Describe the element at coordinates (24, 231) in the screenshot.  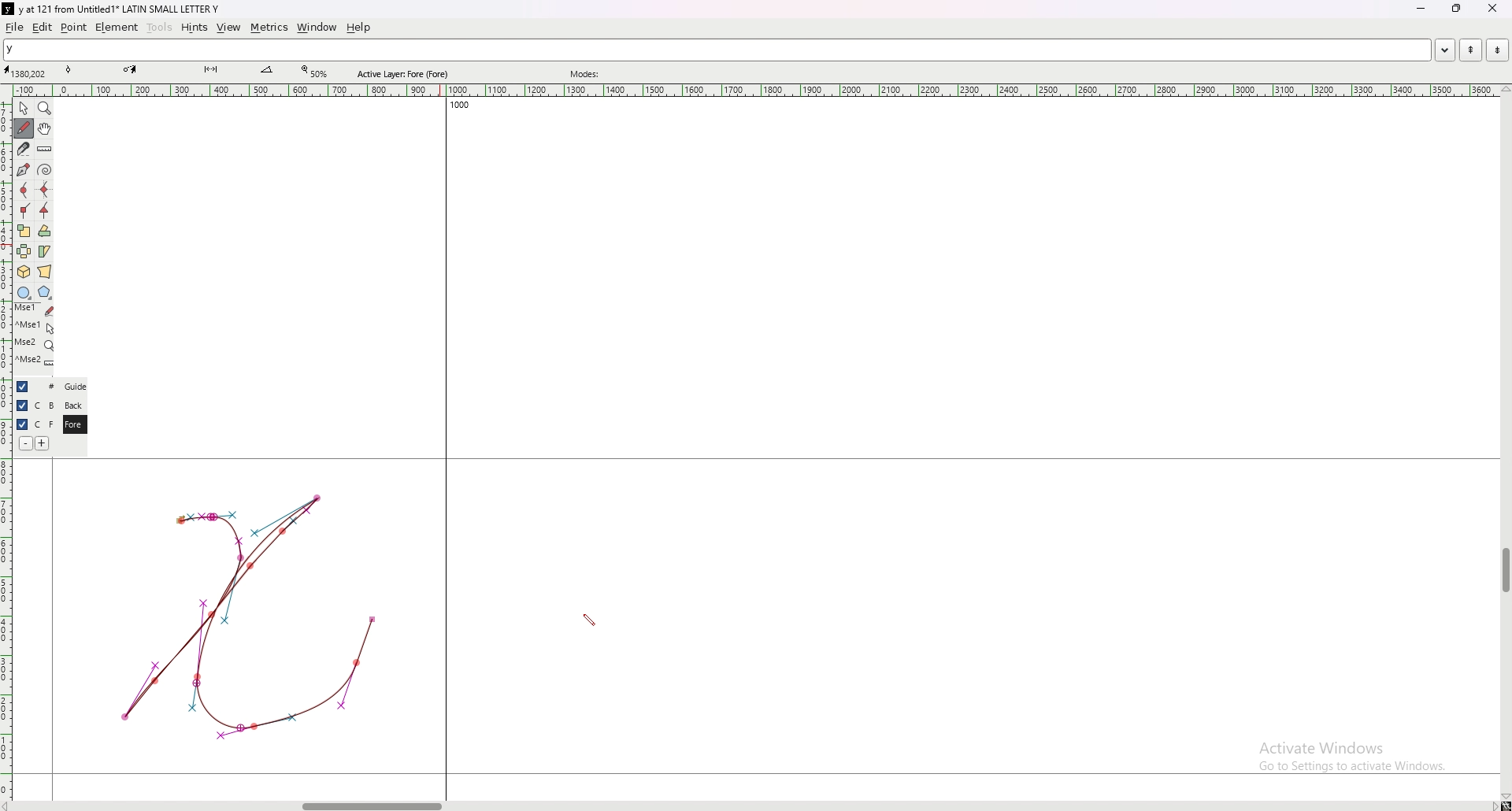
I see `scale the selection` at that location.